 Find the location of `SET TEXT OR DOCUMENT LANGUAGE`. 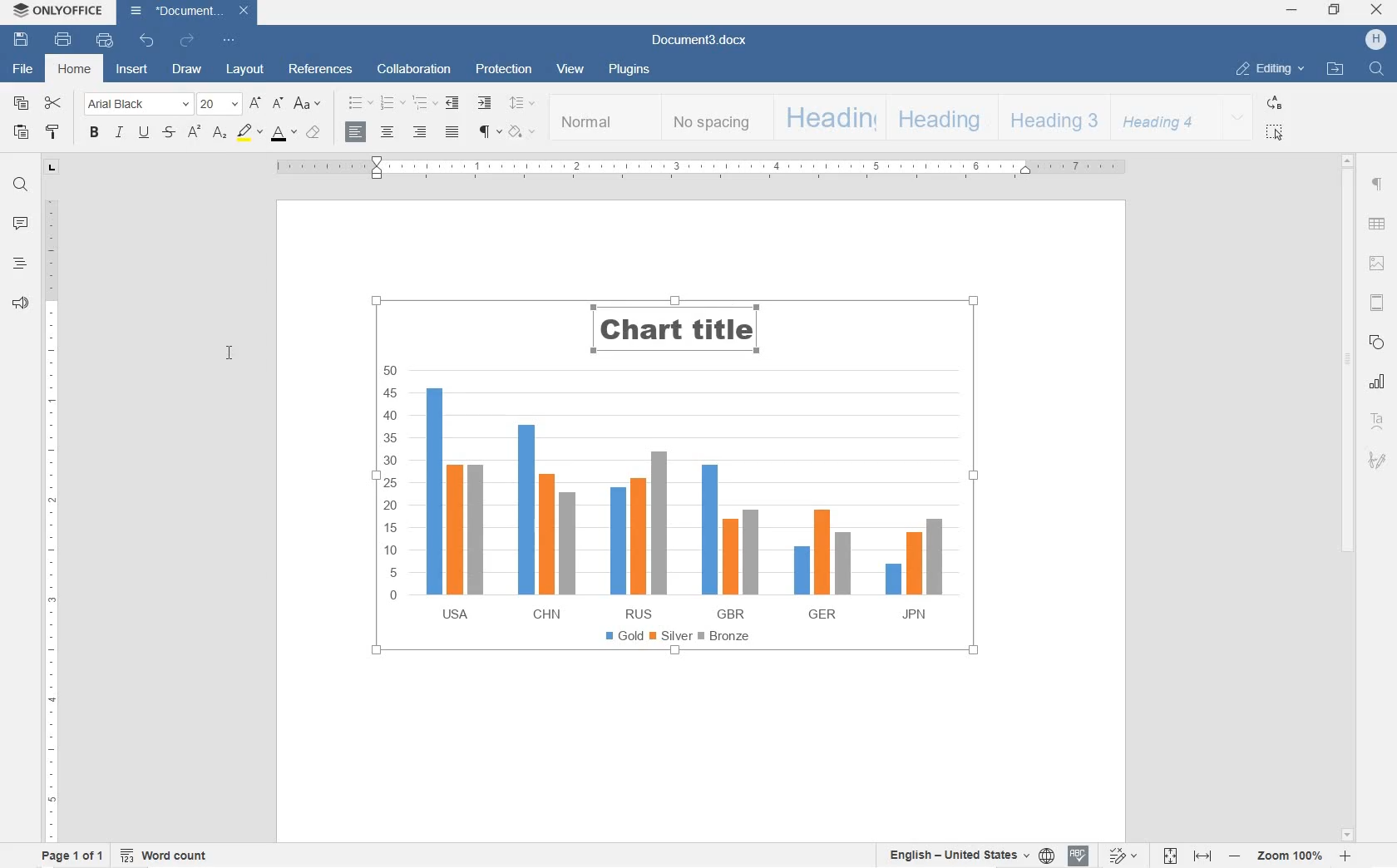

SET TEXT OR DOCUMENT LANGUAGE is located at coordinates (967, 855).